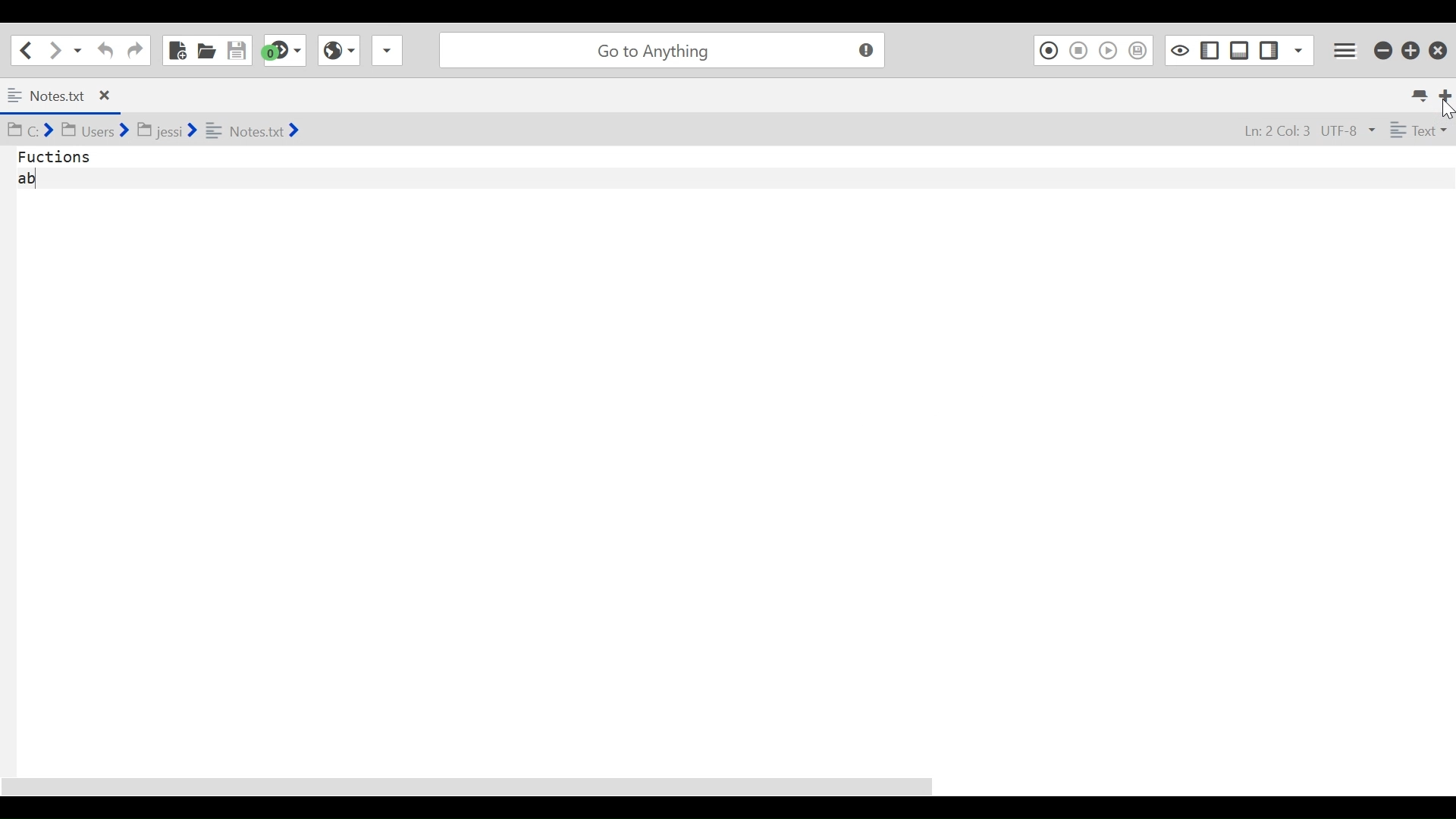  Describe the element at coordinates (155, 130) in the screenshot. I see `C:> Users> jessi> Notes.txt` at that location.